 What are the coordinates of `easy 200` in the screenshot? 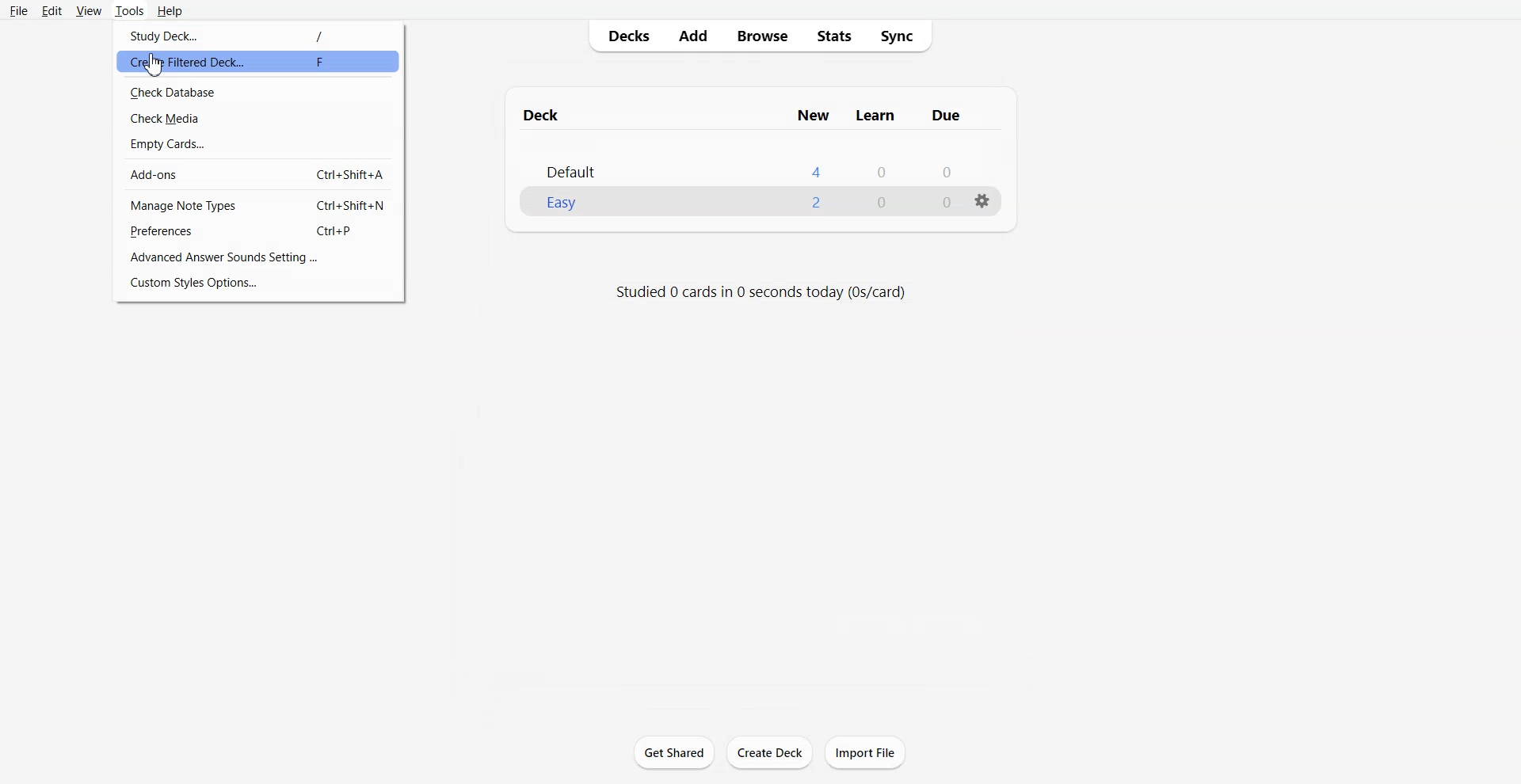 It's located at (738, 203).